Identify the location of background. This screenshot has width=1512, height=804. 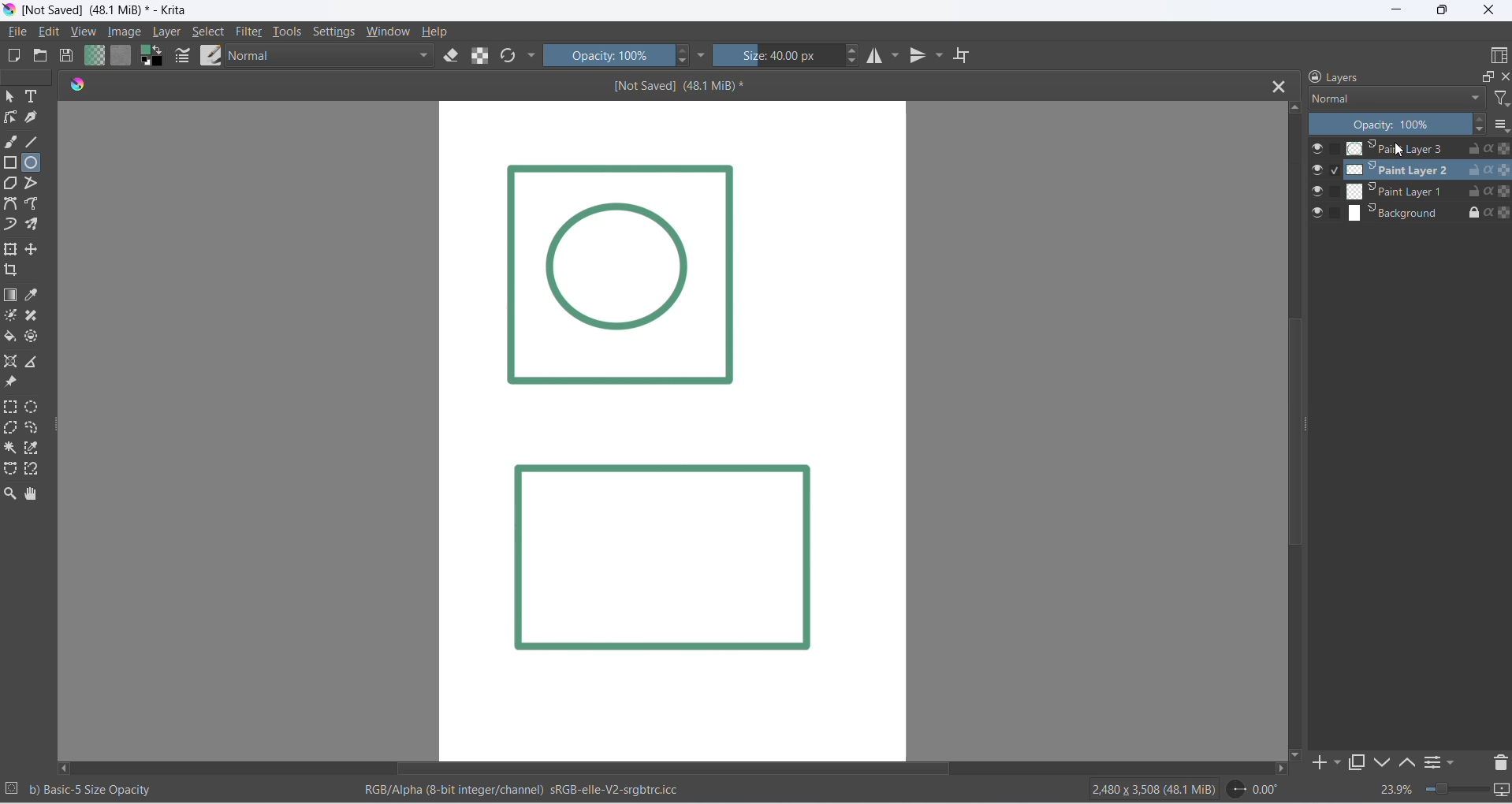
(1393, 211).